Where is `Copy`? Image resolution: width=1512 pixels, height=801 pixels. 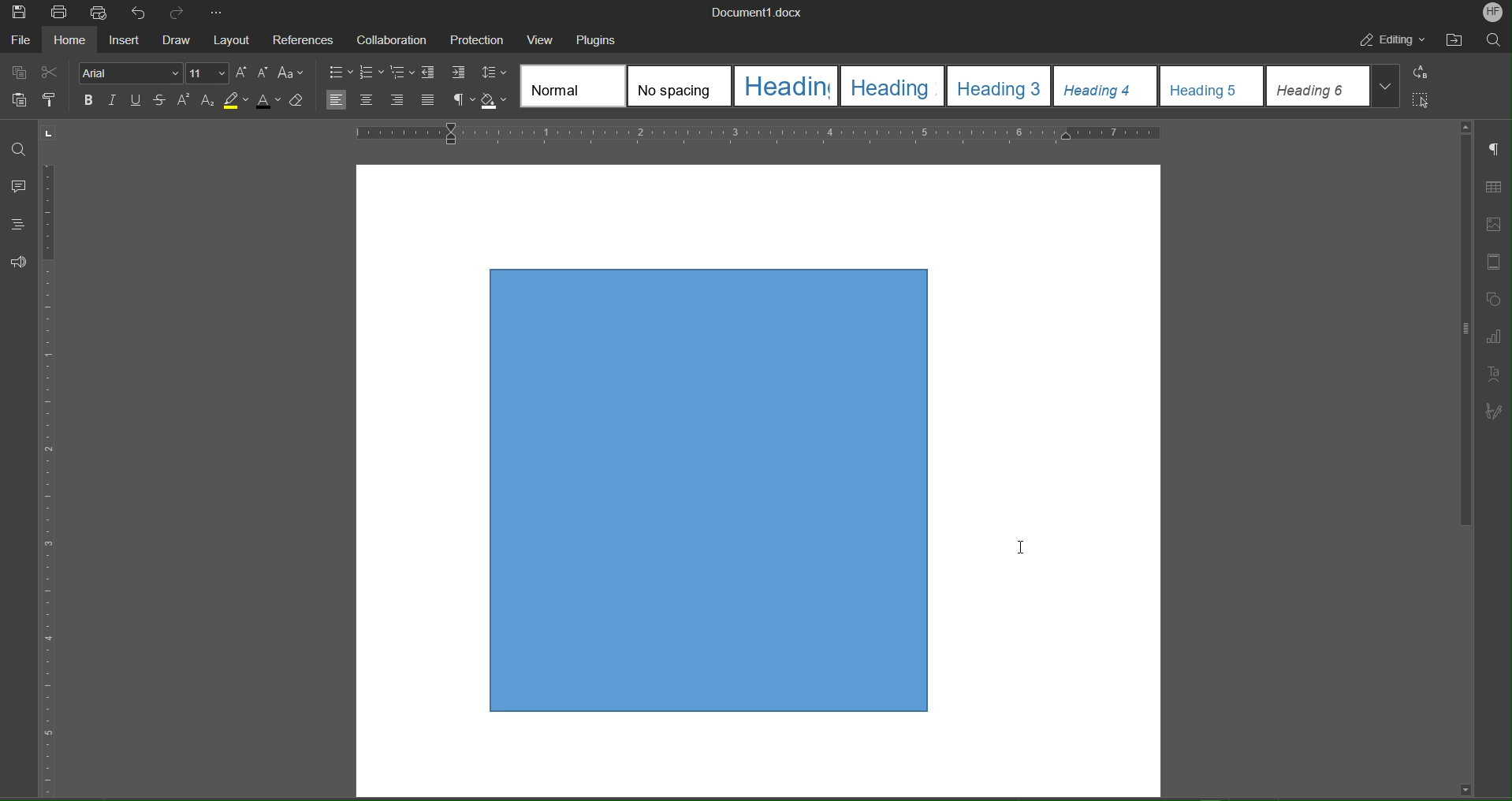 Copy is located at coordinates (18, 73).